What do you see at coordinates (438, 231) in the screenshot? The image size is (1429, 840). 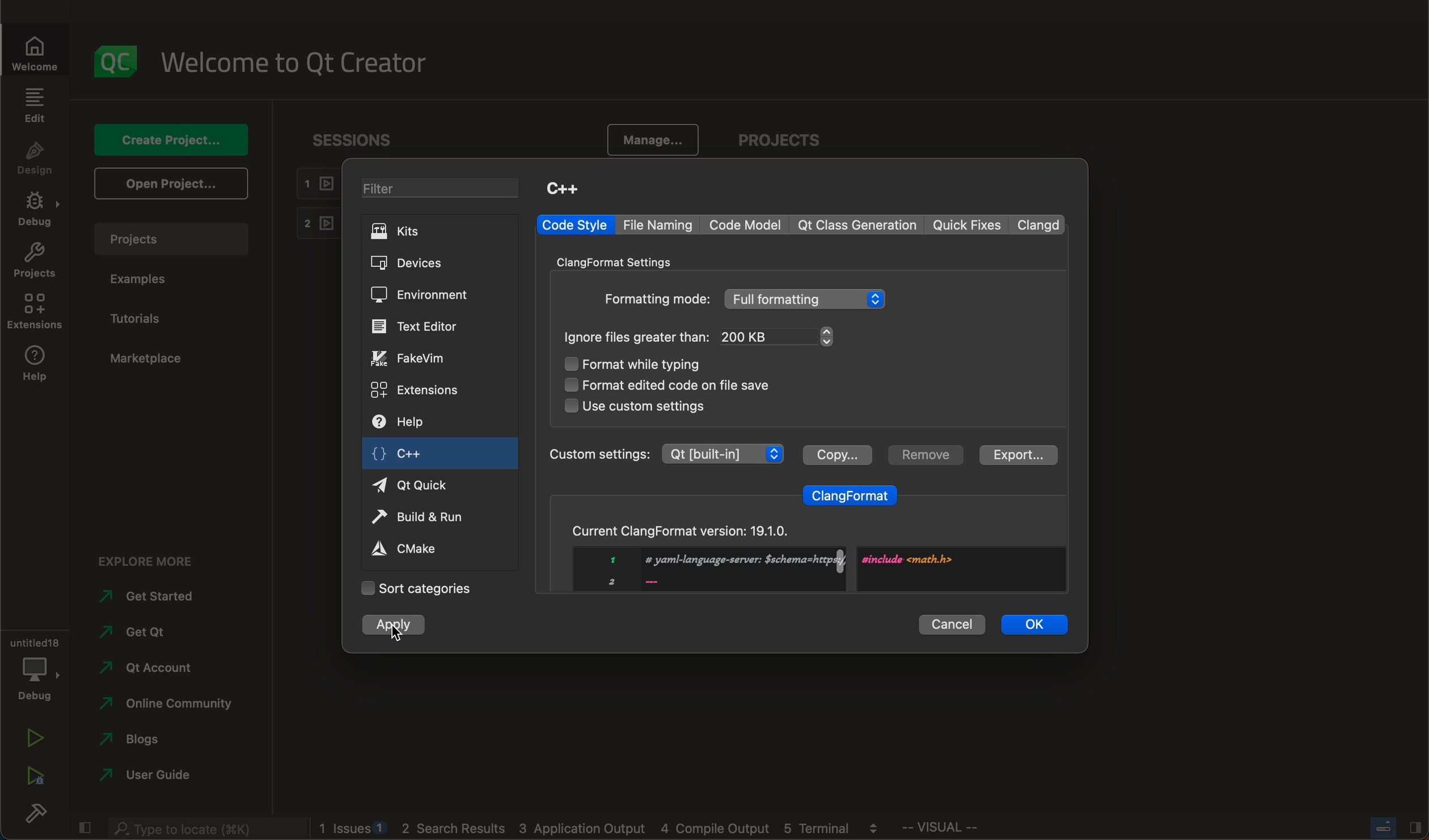 I see `kits` at bounding box center [438, 231].